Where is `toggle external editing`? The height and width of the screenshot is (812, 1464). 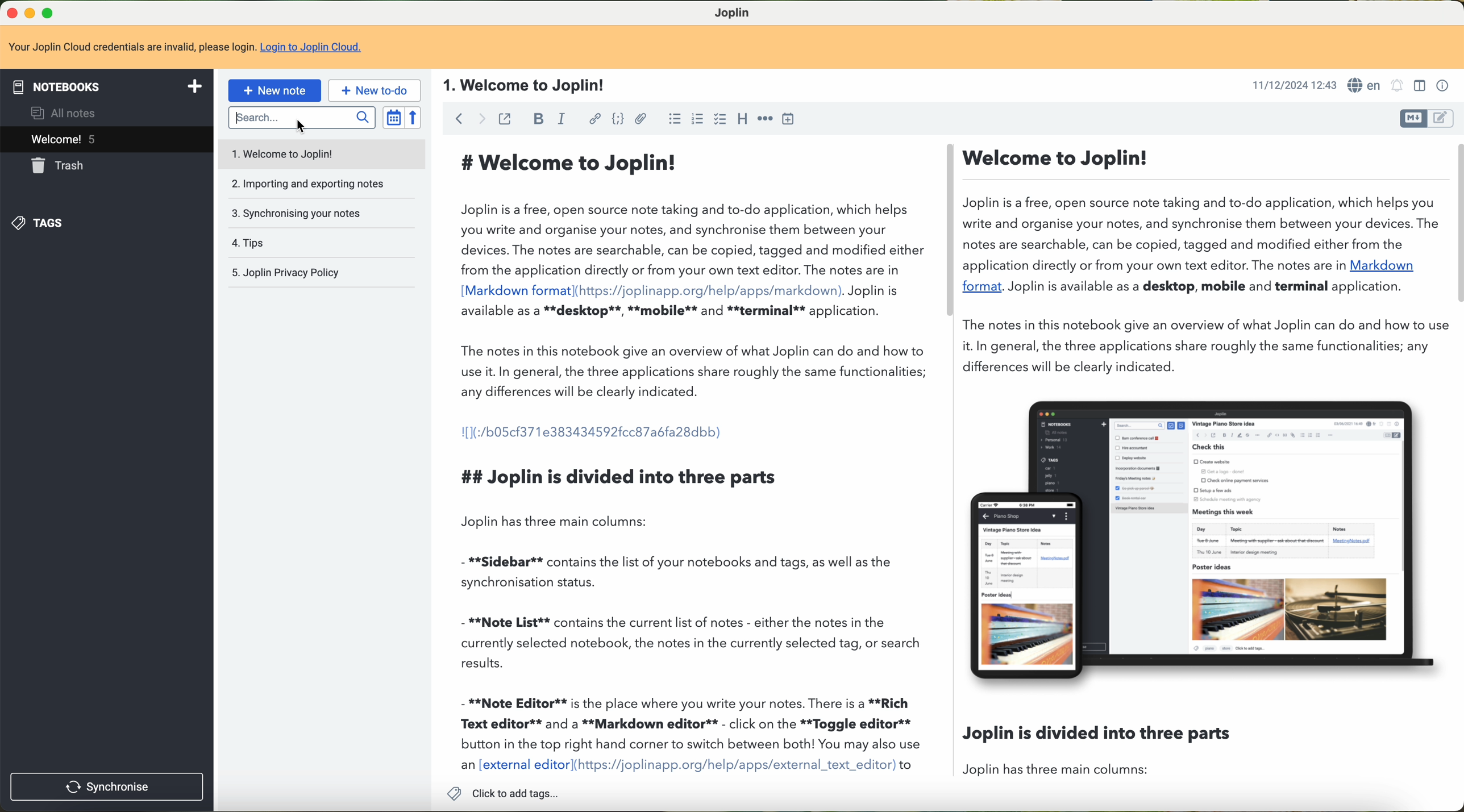
toggle external editing is located at coordinates (506, 120).